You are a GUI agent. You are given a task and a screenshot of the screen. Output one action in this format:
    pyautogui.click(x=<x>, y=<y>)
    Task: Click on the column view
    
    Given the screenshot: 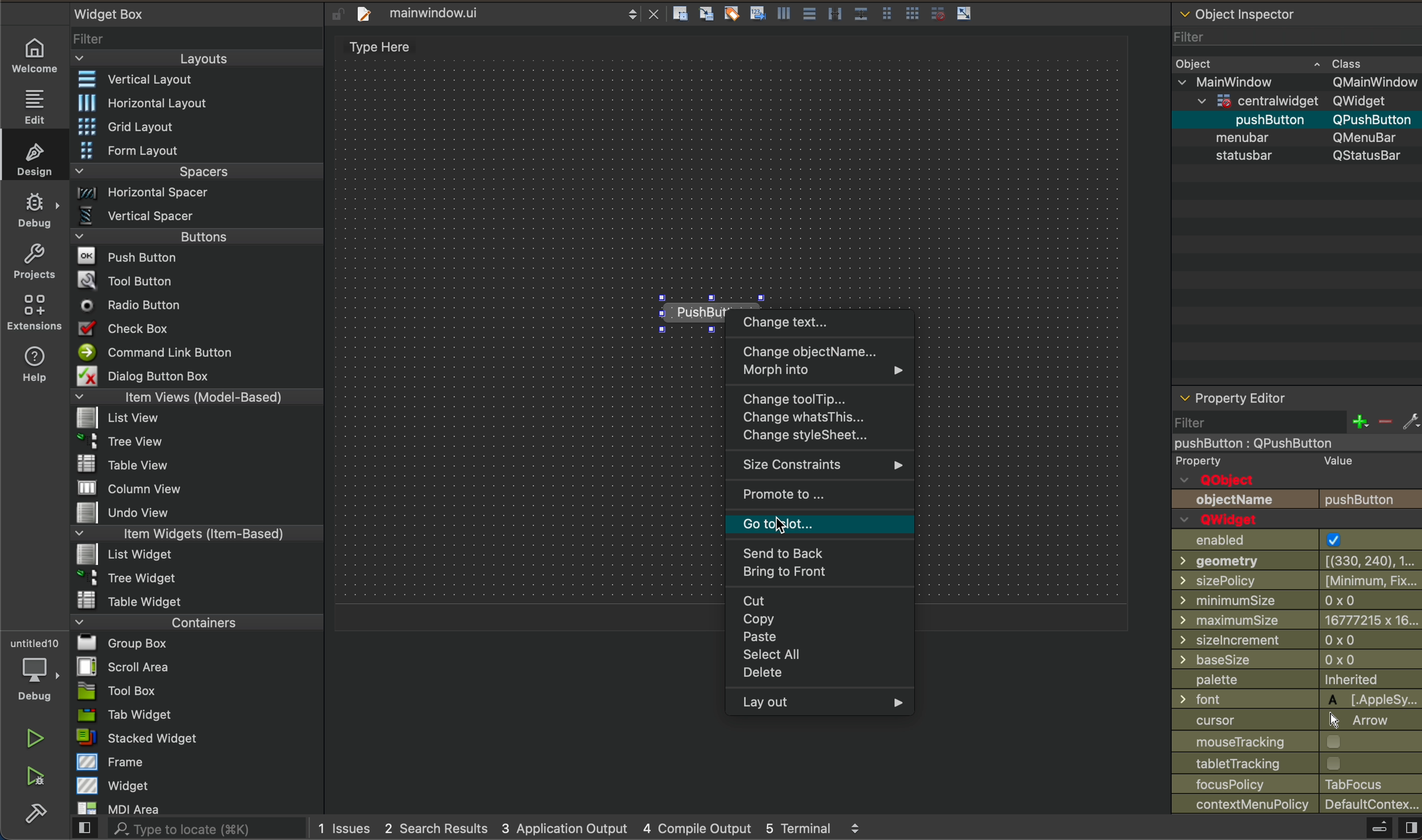 What is the action you would take?
    pyautogui.click(x=195, y=488)
    